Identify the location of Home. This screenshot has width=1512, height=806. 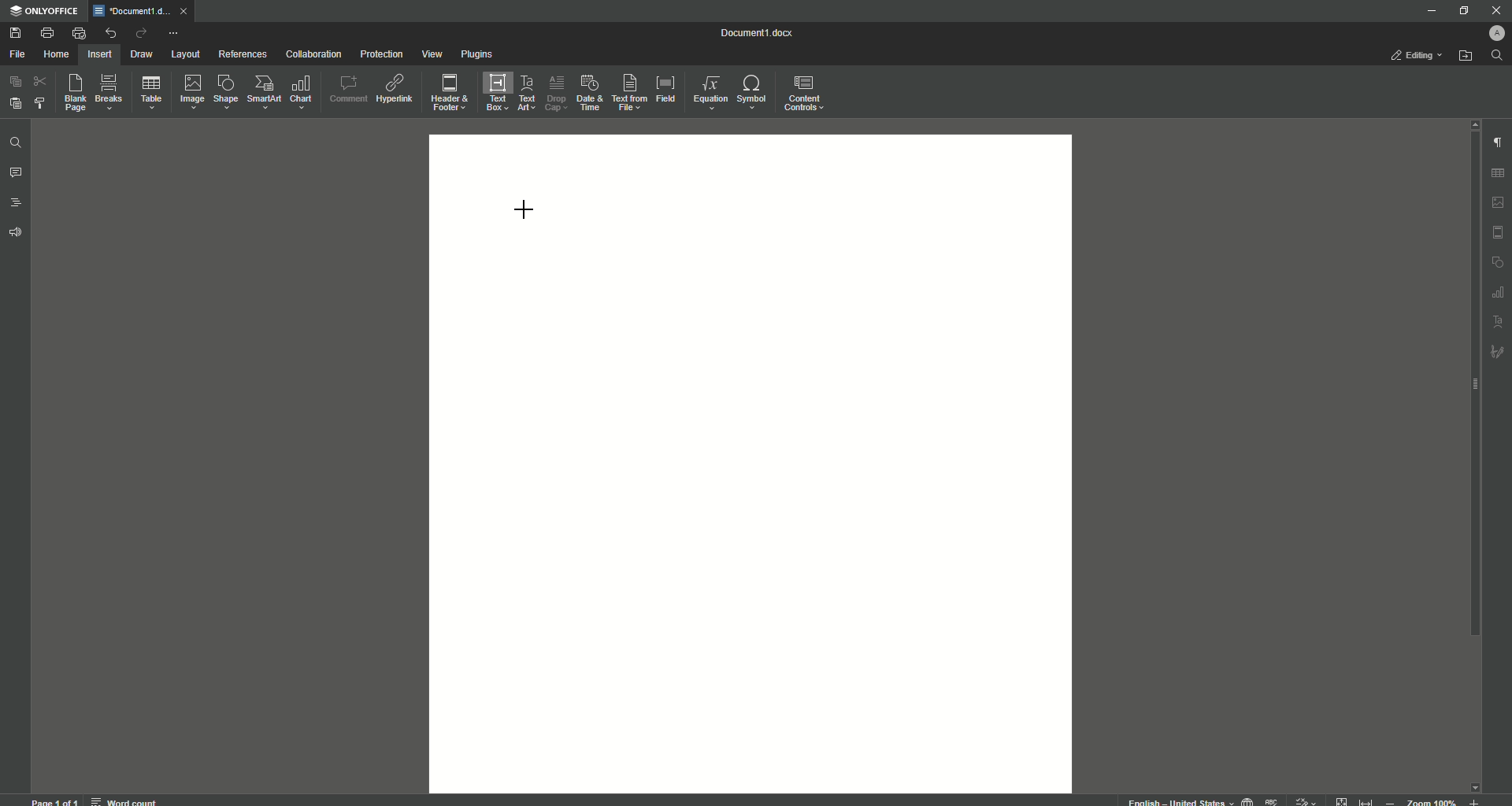
(56, 55).